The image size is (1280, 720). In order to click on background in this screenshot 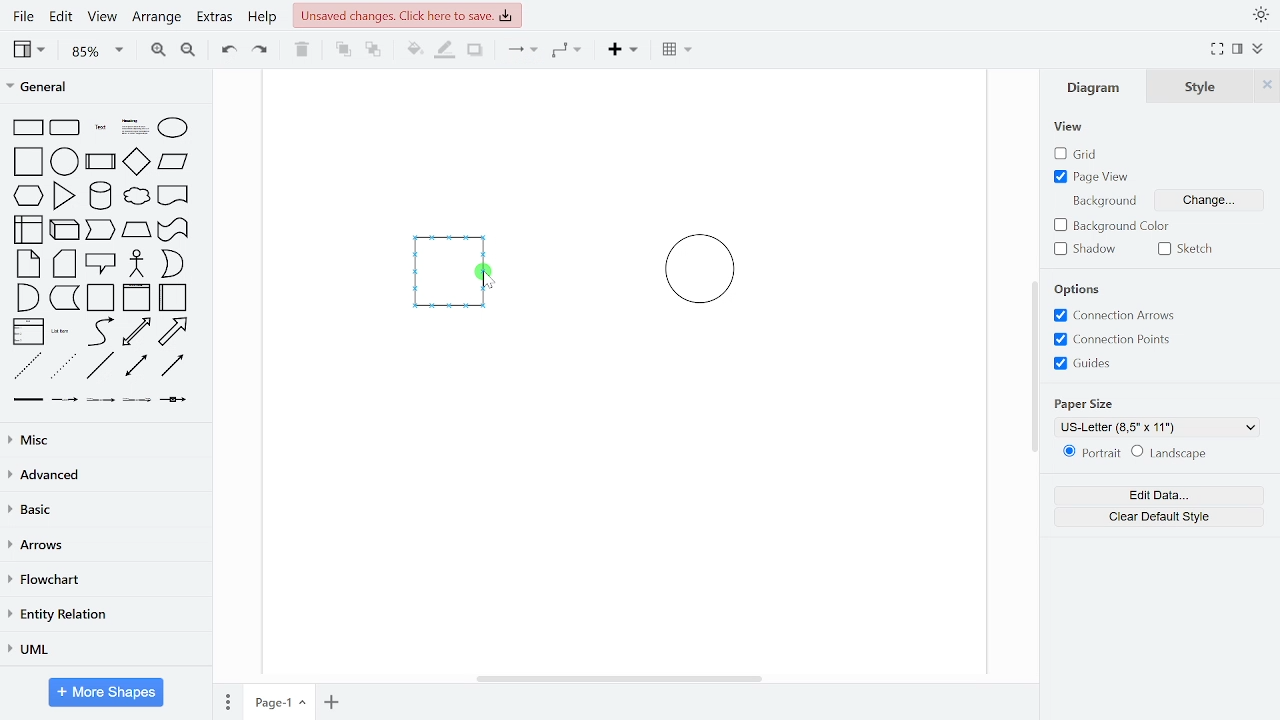, I will do `click(1102, 200)`.